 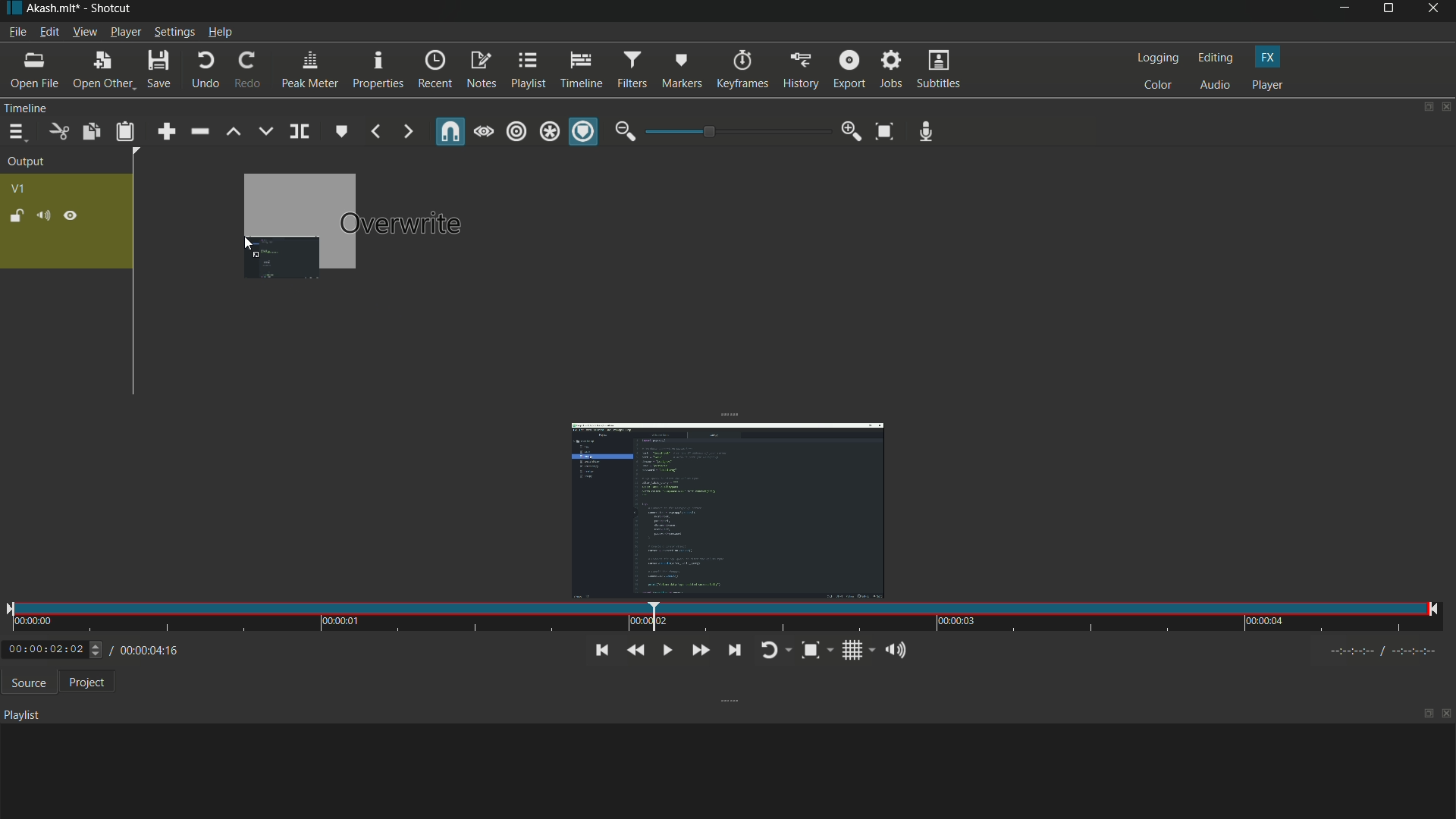 What do you see at coordinates (266, 130) in the screenshot?
I see `overwrite` at bounding box center [266, 130].